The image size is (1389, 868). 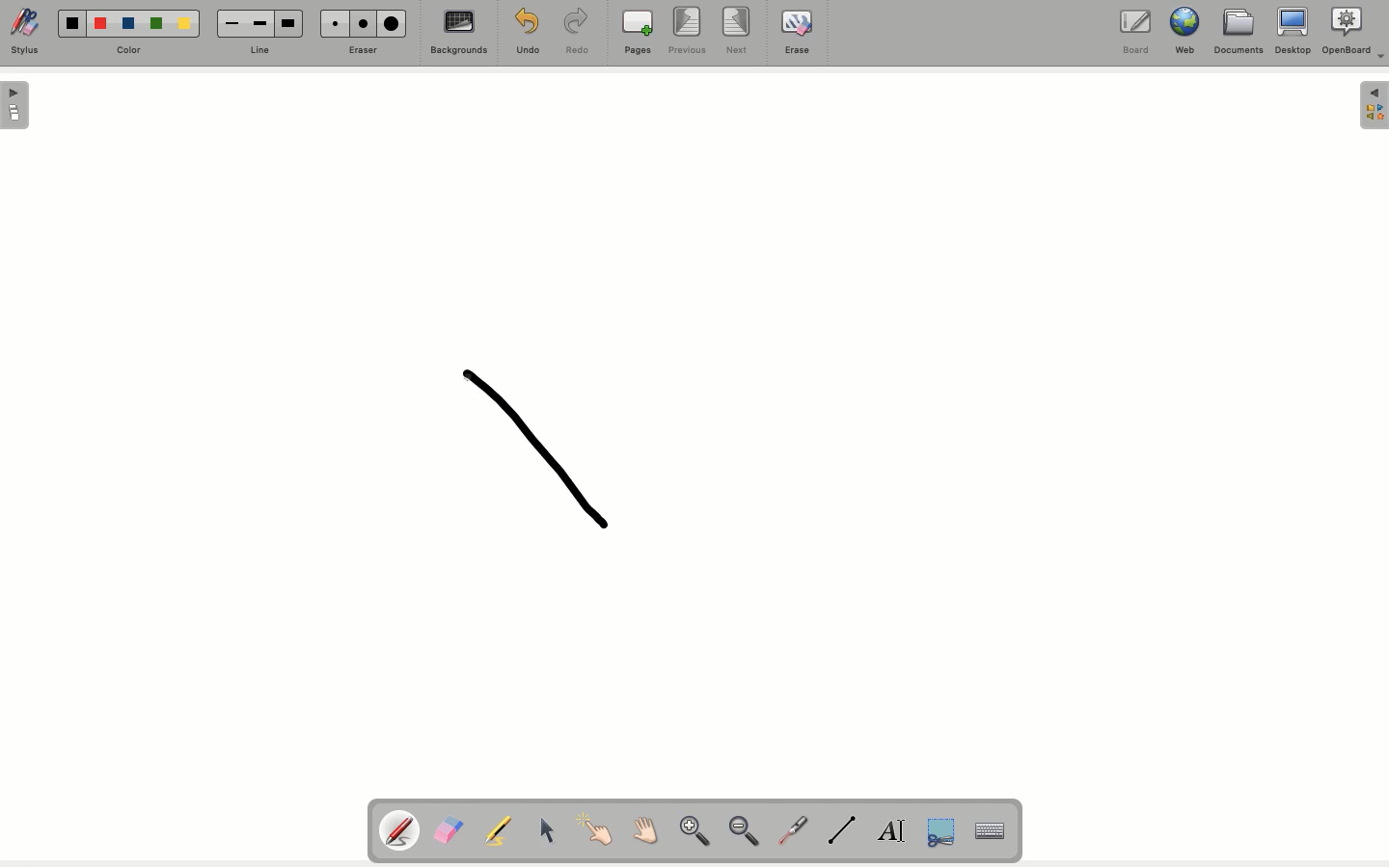 What do you see at coordinates (940, 833) in the screenshot?
I see `Cut` at bounding box center [940, 833].